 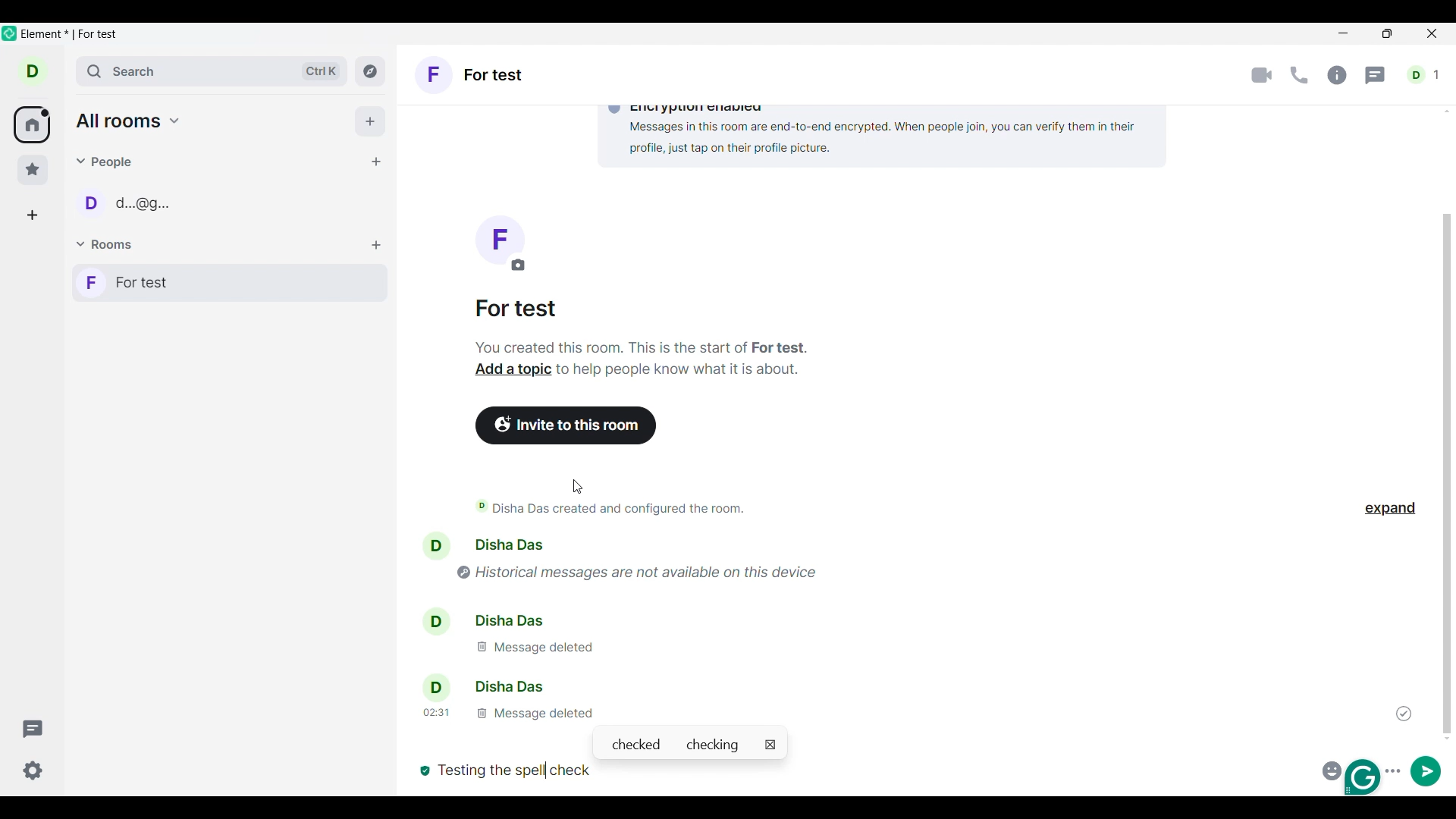 I want to click on For test   You created this room. This is the start of a room of for test, so click(x=642, y=328).